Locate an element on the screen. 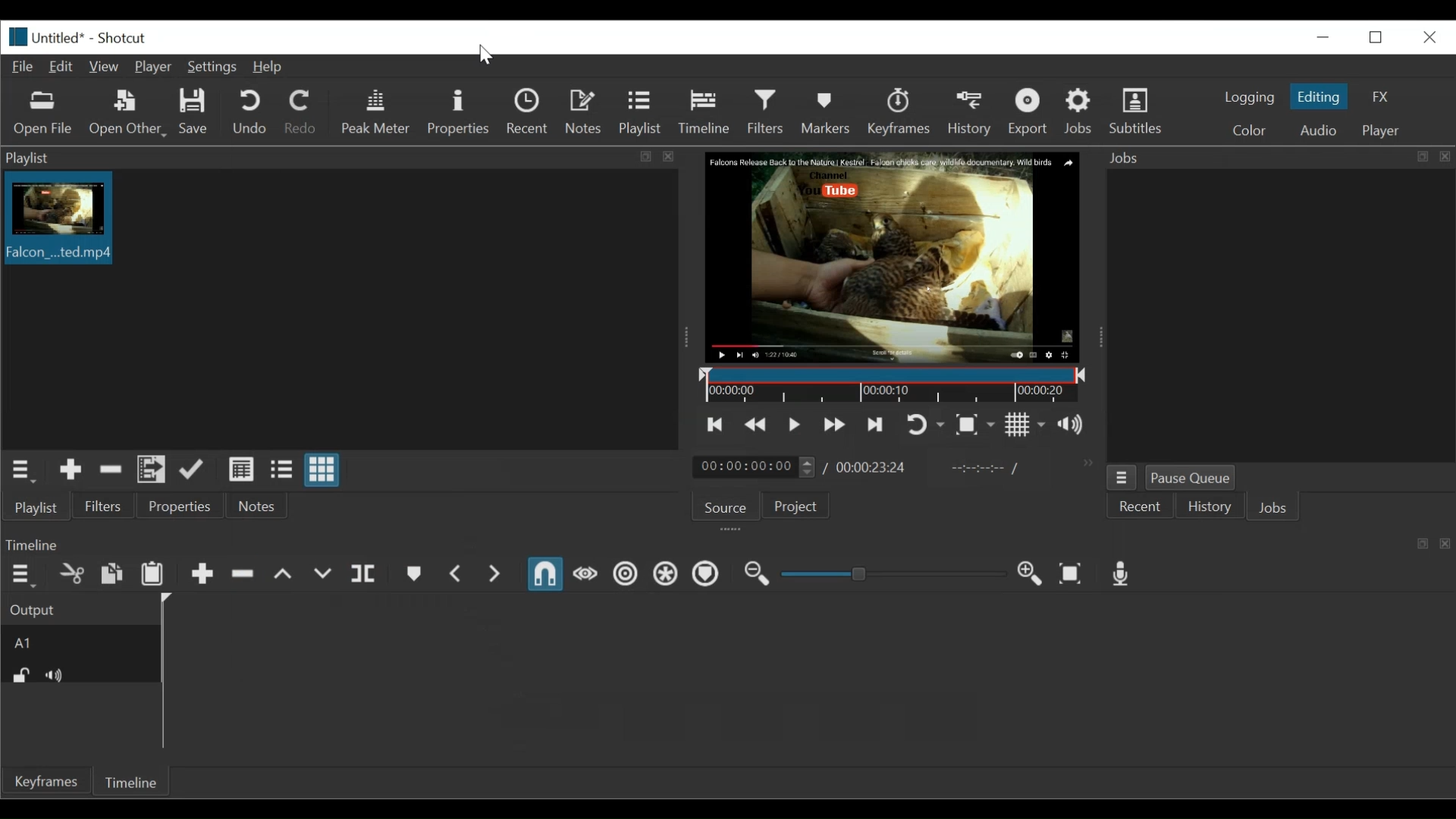  Remove cut is located at coordinates (112, 473).